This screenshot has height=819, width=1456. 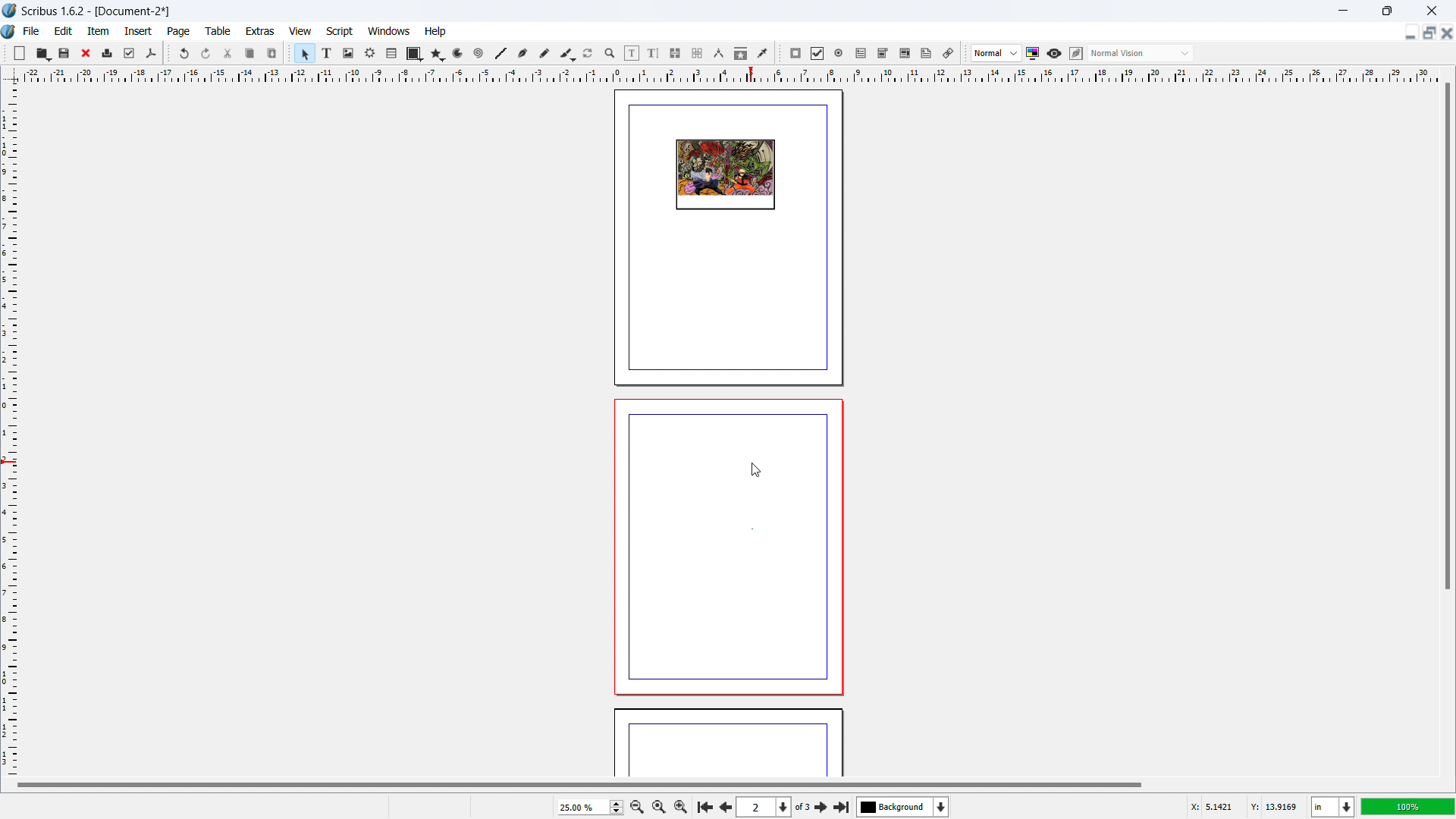 I want to click on horizontal ruler, so click(x=730, y=74).